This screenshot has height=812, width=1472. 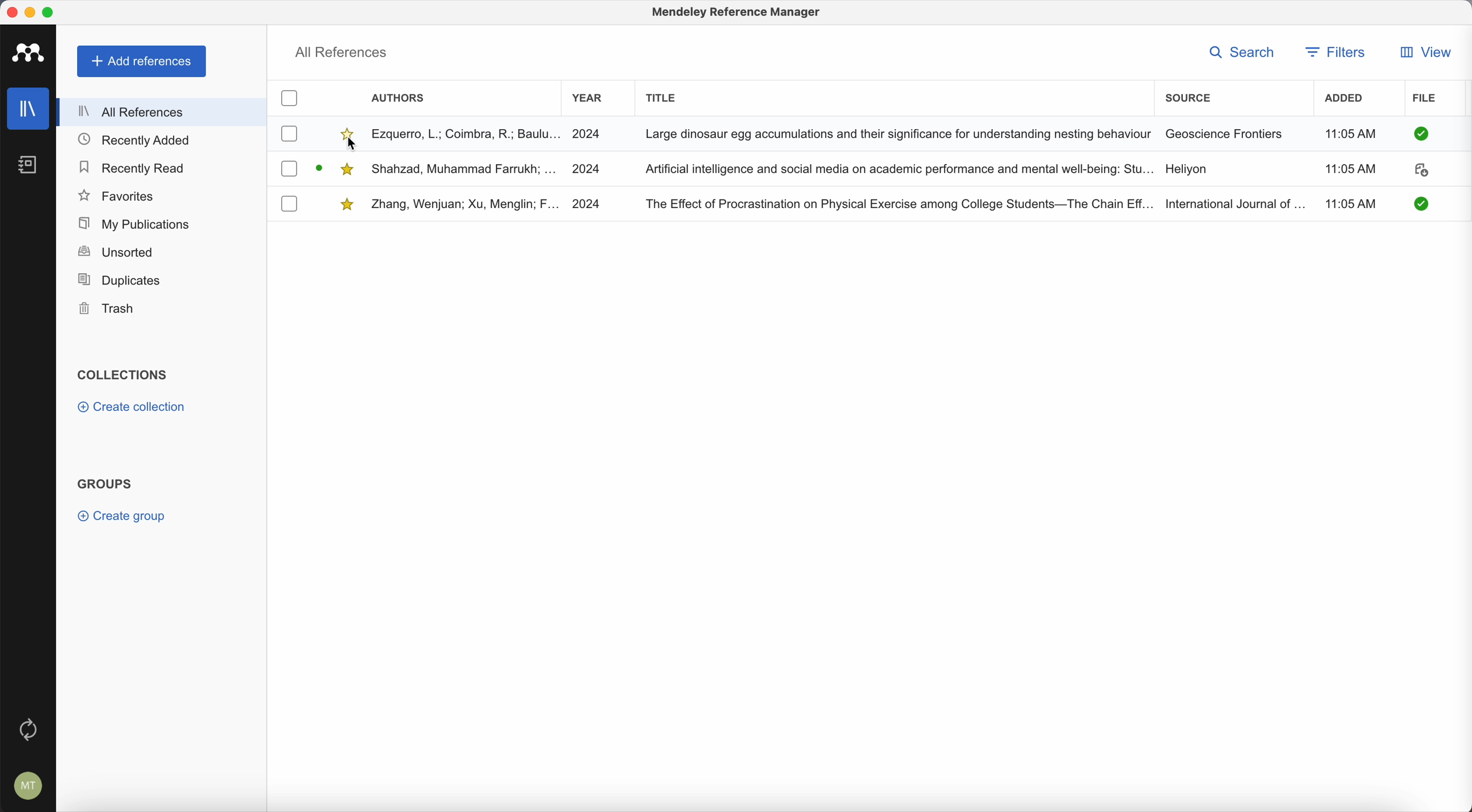 What do you see at coordinates (663, 96) in the screenshot?
I see `title` at bounding box center [663, 96].